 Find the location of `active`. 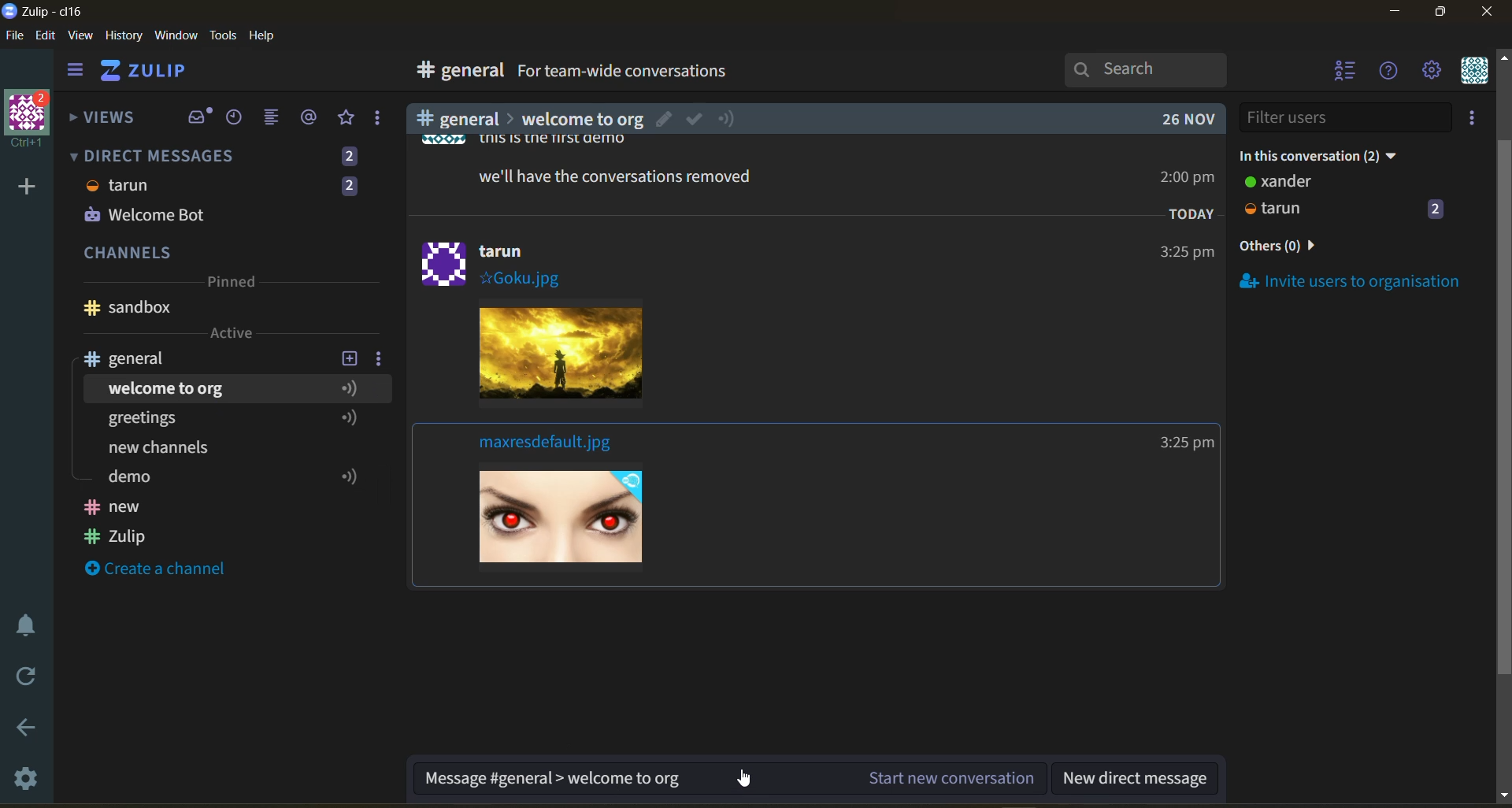

active is located at coordinates (233, 333).